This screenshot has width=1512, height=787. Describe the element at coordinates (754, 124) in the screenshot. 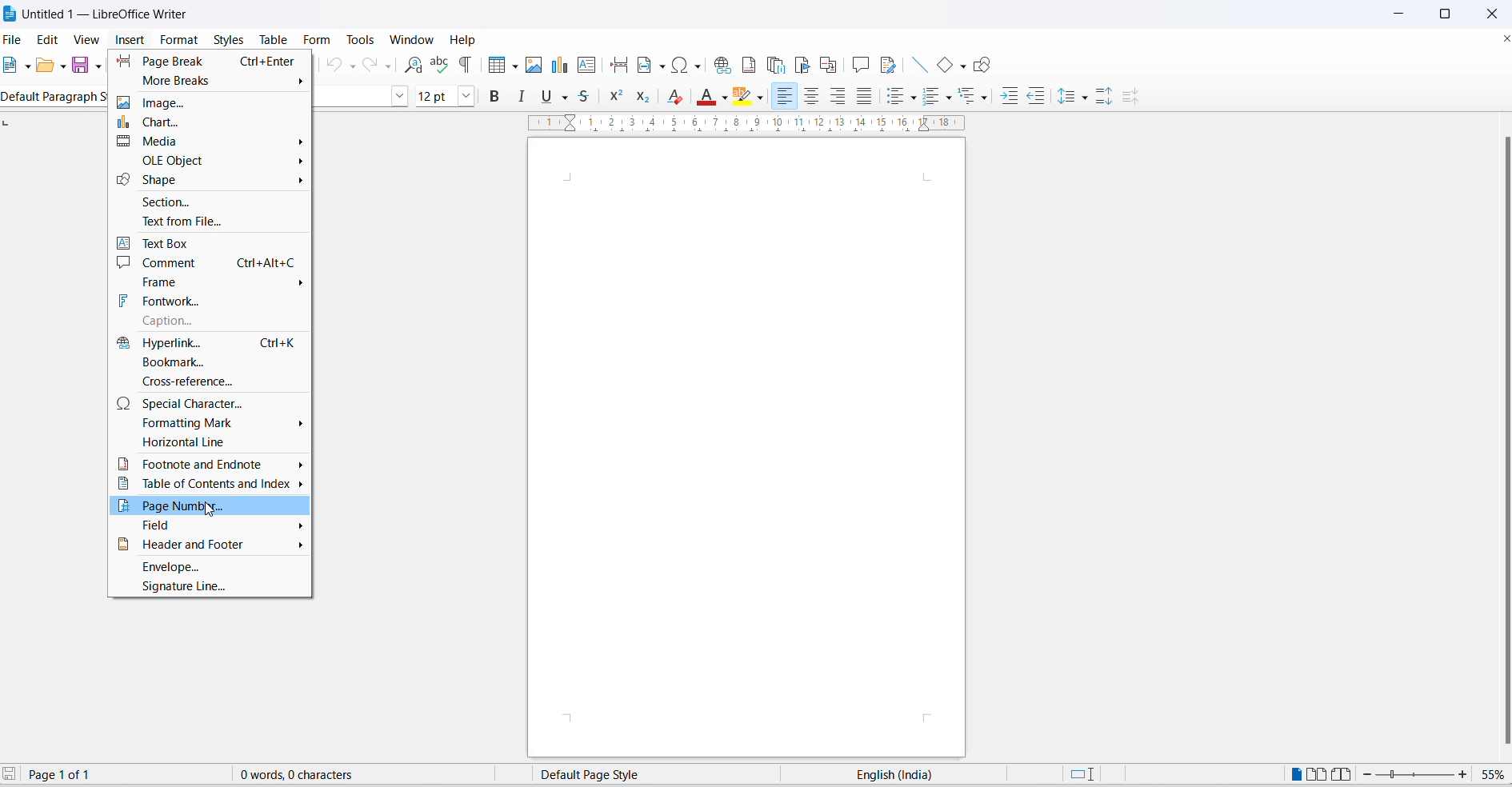

I see `scaling` at that location.